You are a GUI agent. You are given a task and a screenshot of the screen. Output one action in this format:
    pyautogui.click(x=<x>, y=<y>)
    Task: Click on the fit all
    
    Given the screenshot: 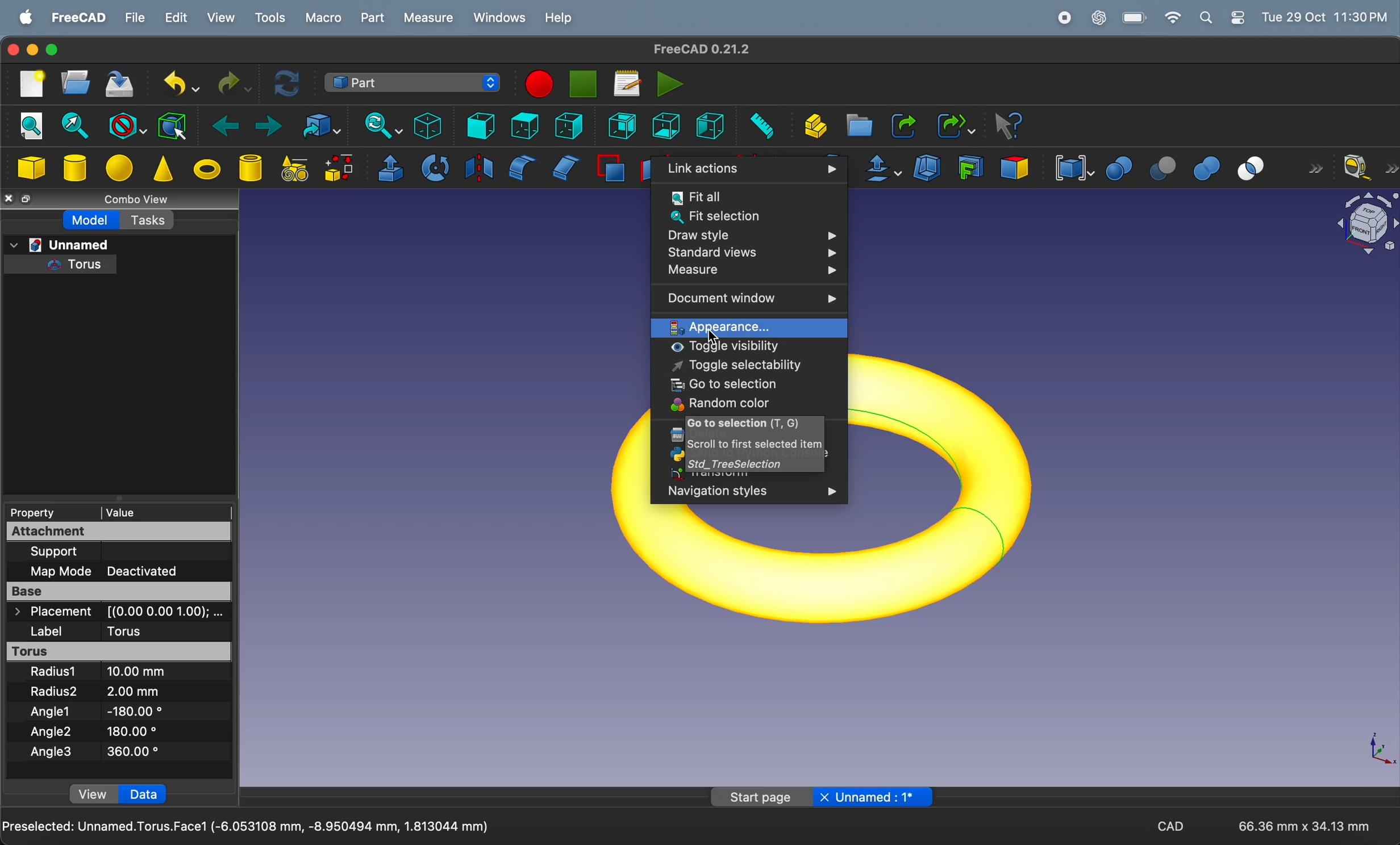 What is the action you would take?
    pyautogui.click(x=30, y=125)
    